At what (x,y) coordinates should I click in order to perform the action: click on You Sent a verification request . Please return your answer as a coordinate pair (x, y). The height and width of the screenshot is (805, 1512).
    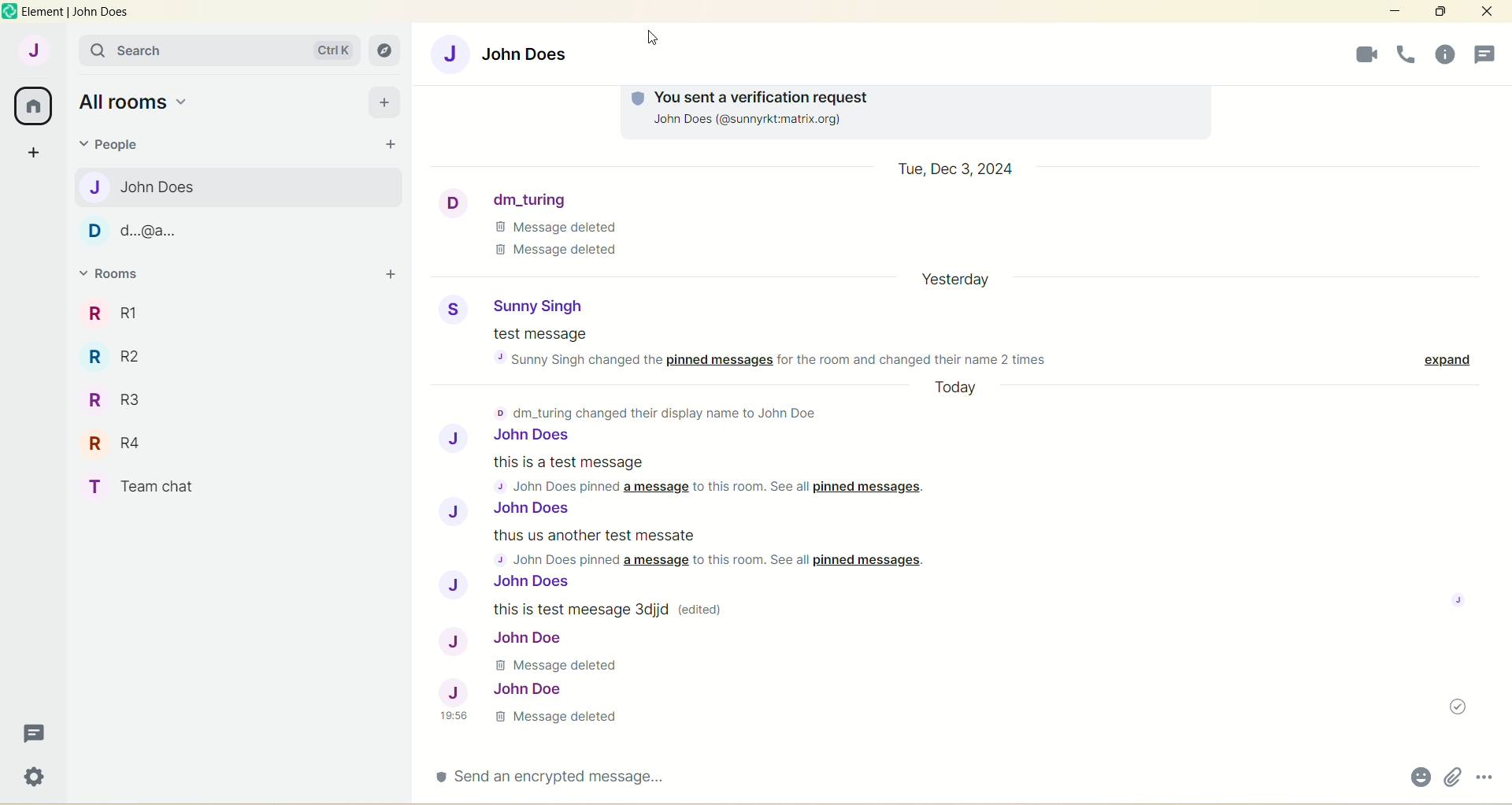
    Looking at the image, I should click on (909, 94).